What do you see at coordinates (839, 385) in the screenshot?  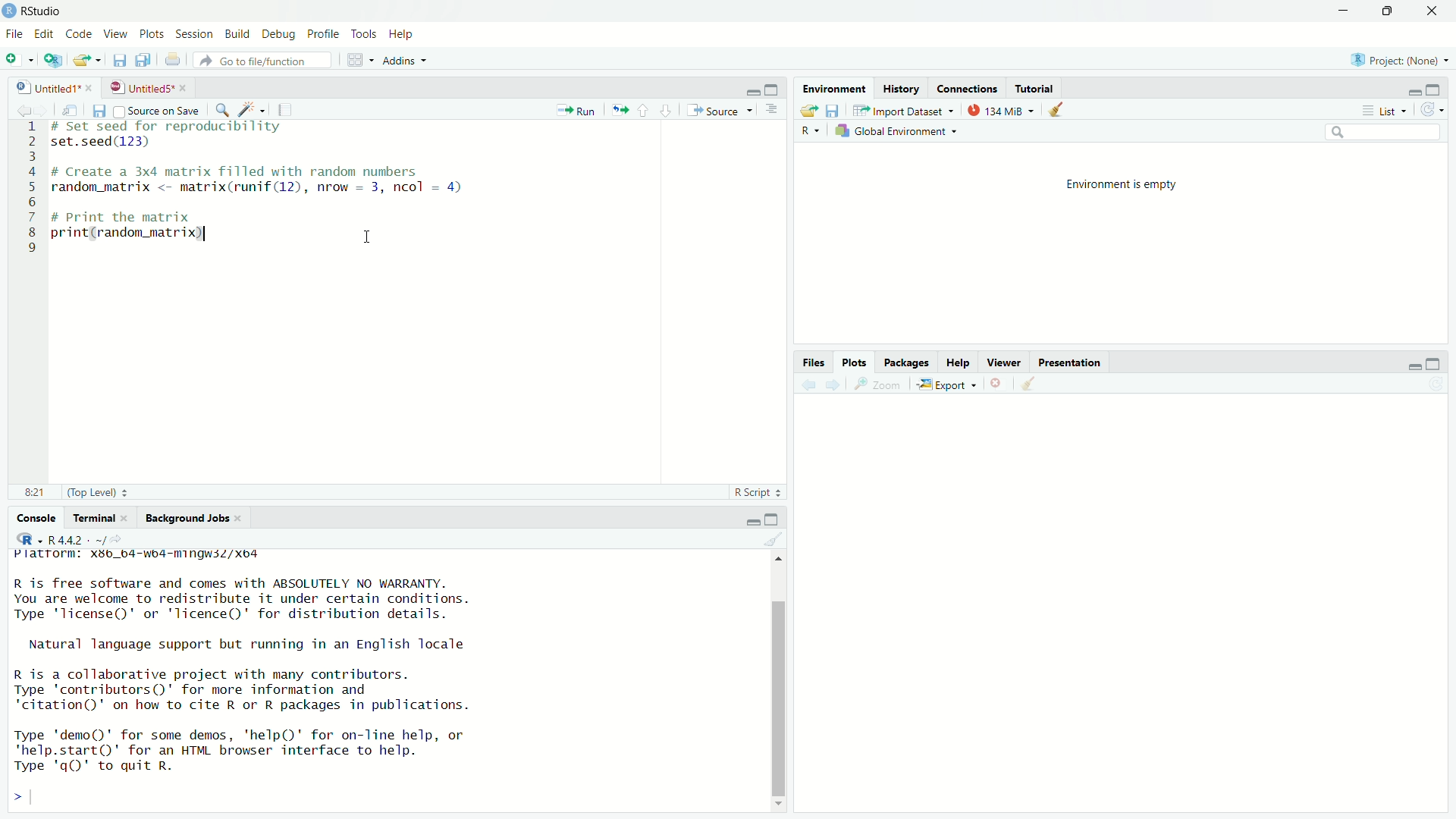 I see `next` at bounding box center [839, 385].